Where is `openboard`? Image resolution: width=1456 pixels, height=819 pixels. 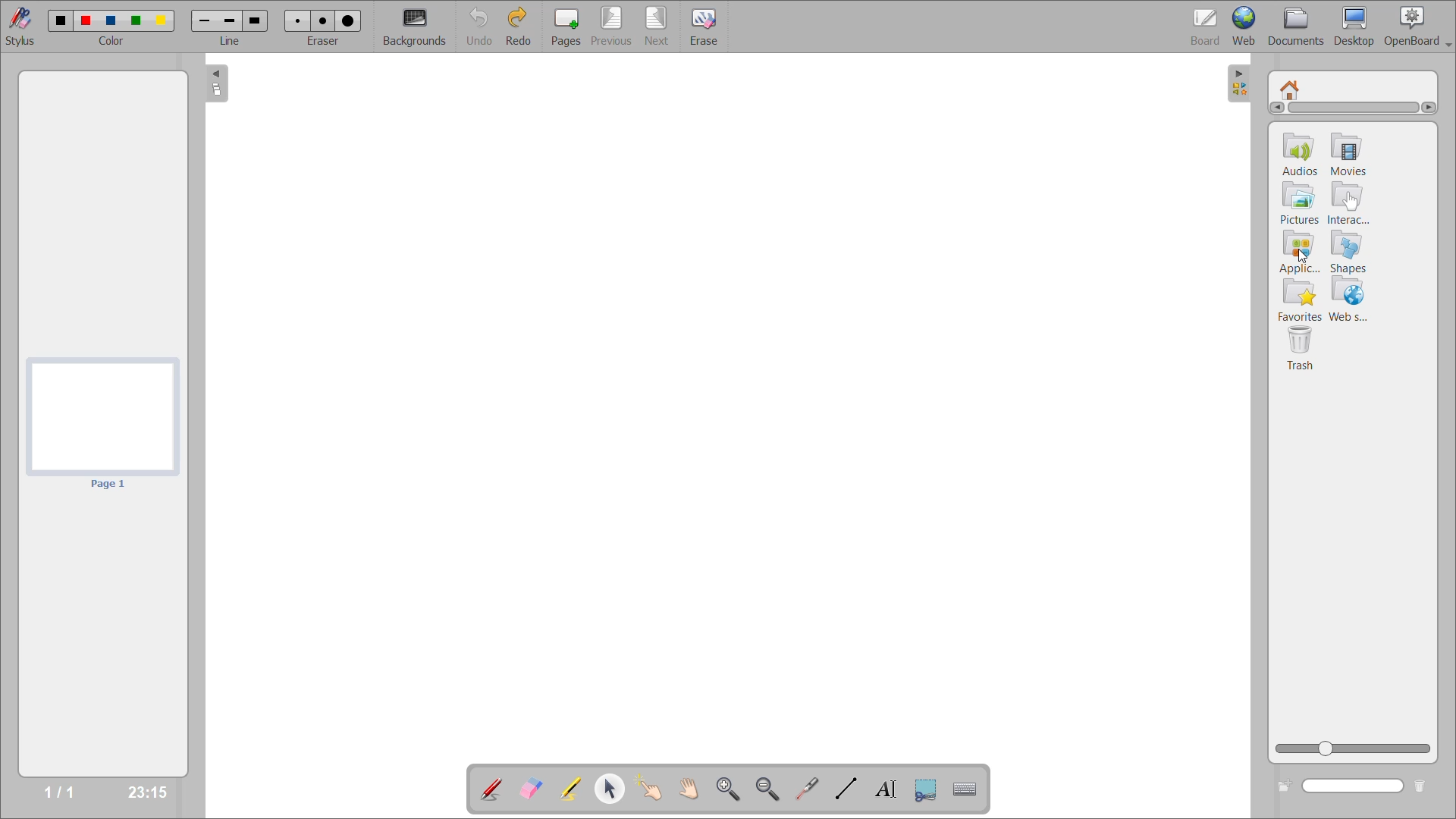
openboard is located at coordinates (1420, 27).